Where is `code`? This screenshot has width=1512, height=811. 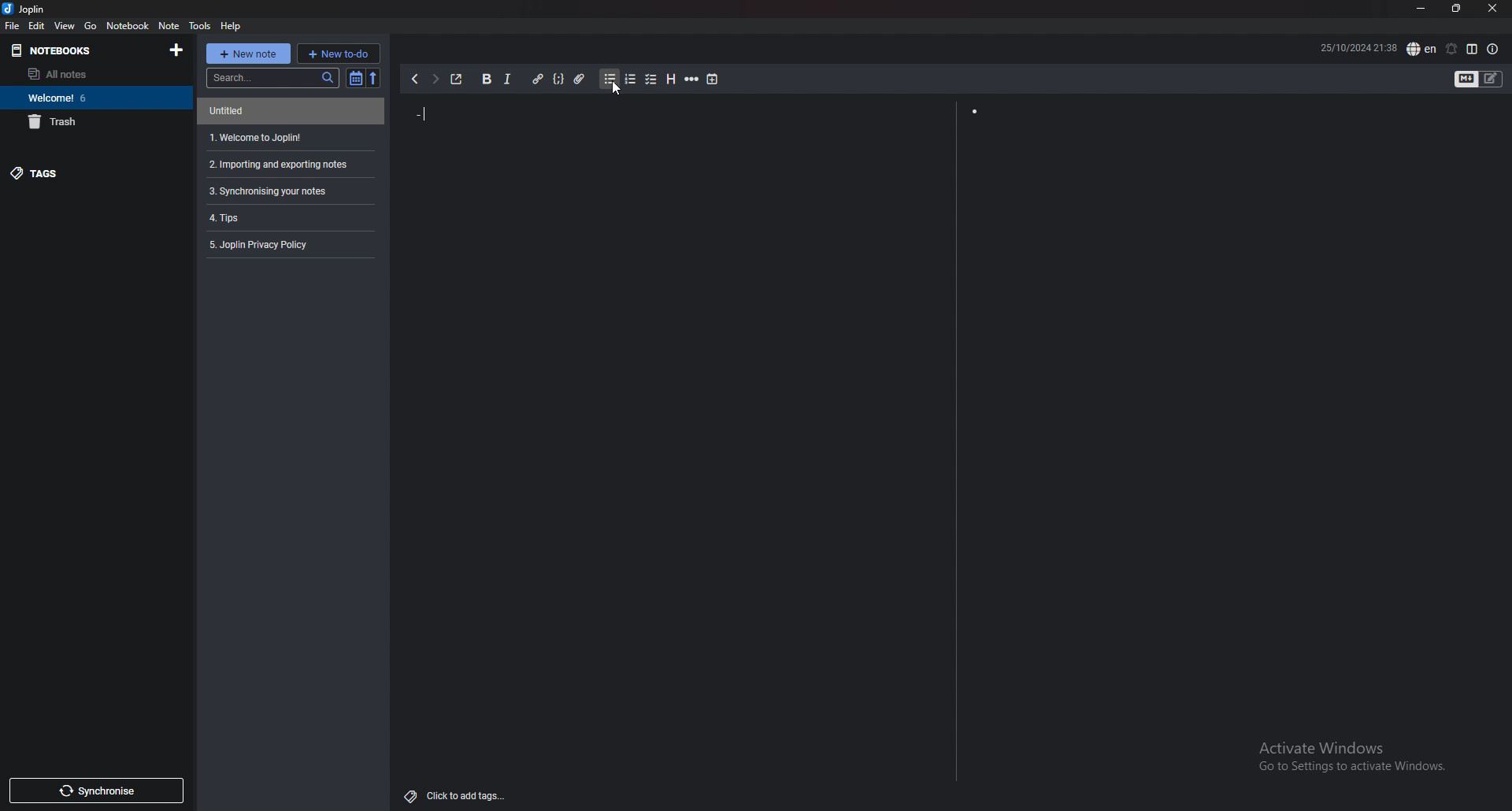
code is located at coordinates (556, 80).